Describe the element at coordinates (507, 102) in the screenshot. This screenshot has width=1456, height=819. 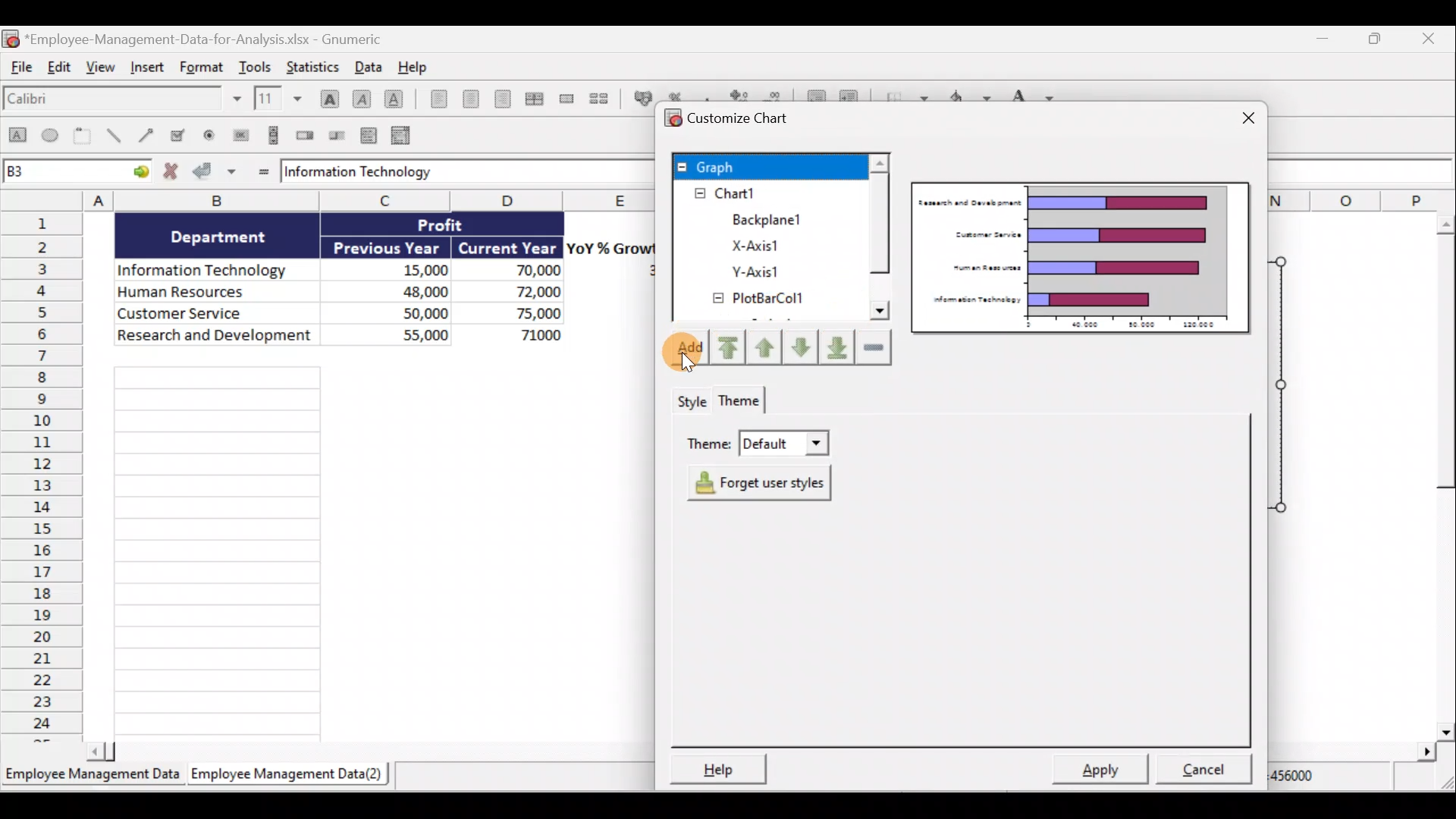
I see `Align right` at that location.